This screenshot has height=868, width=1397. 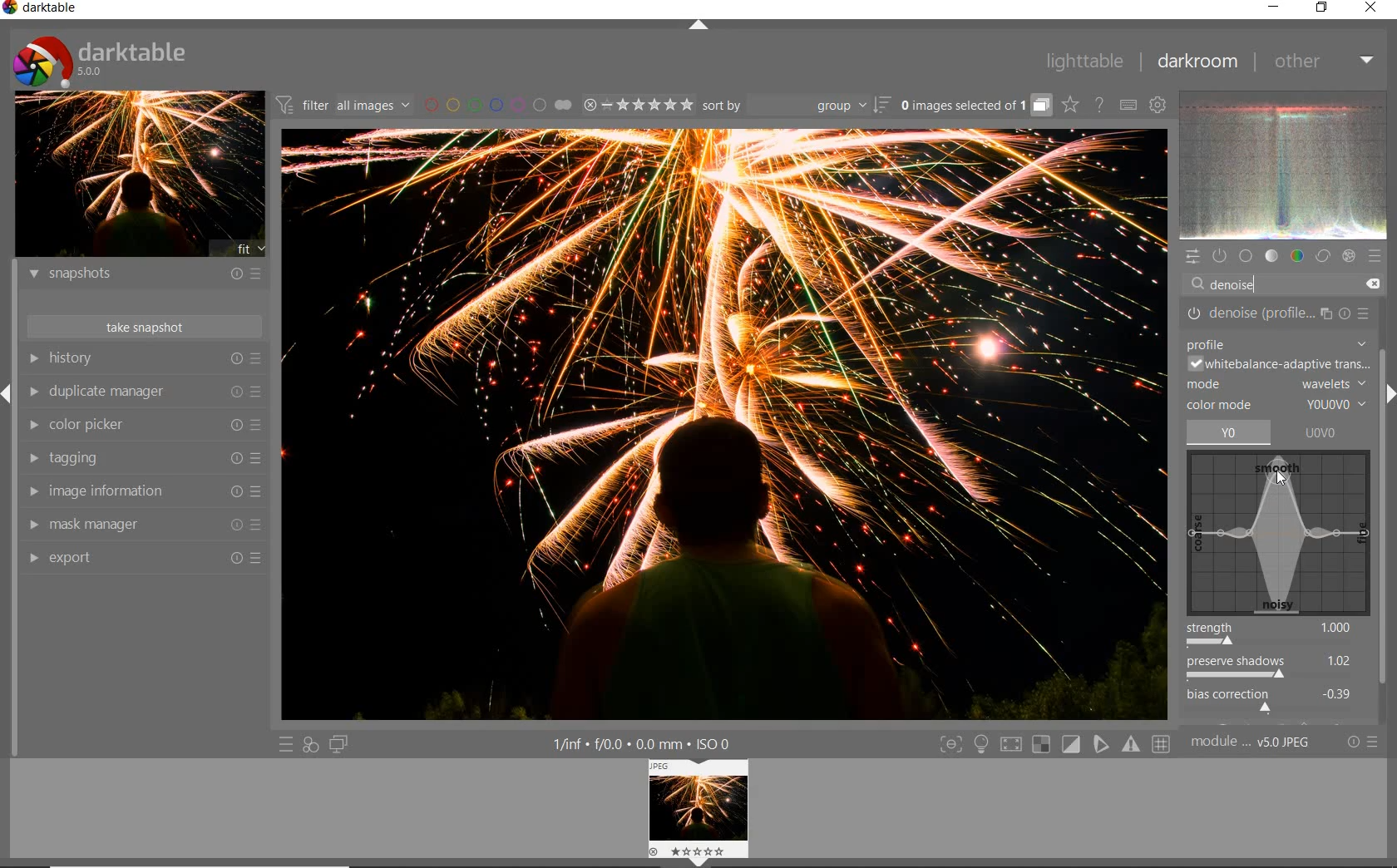 I want to click on filter images by color labels, so click(x=496, y=105).